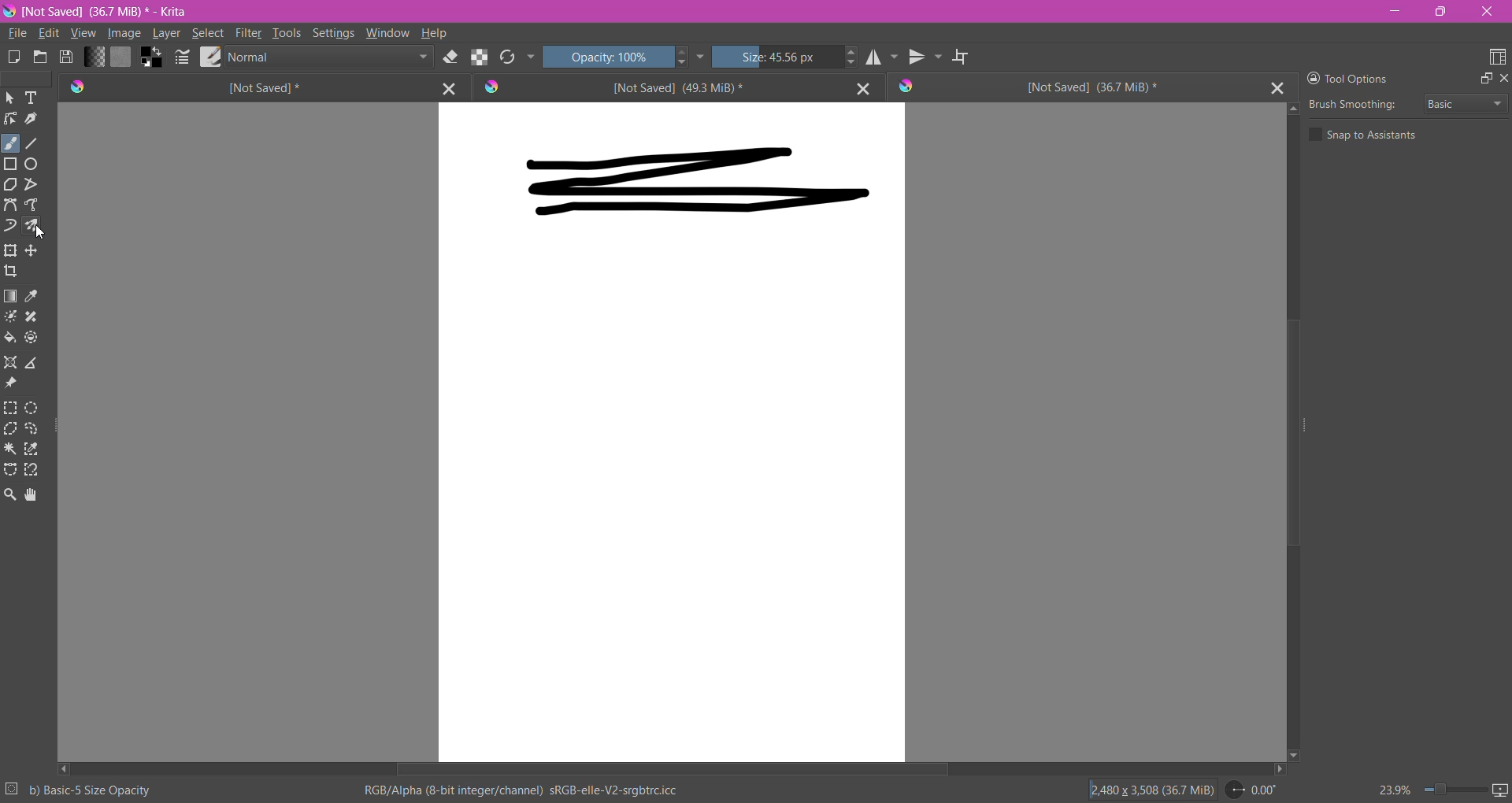 This screenshot has height=803, width=1512. What do you see at coordinates (33, 408) in the screenshot?
I see `Elliptical Selection Tool` at bounding box center [33, 408].